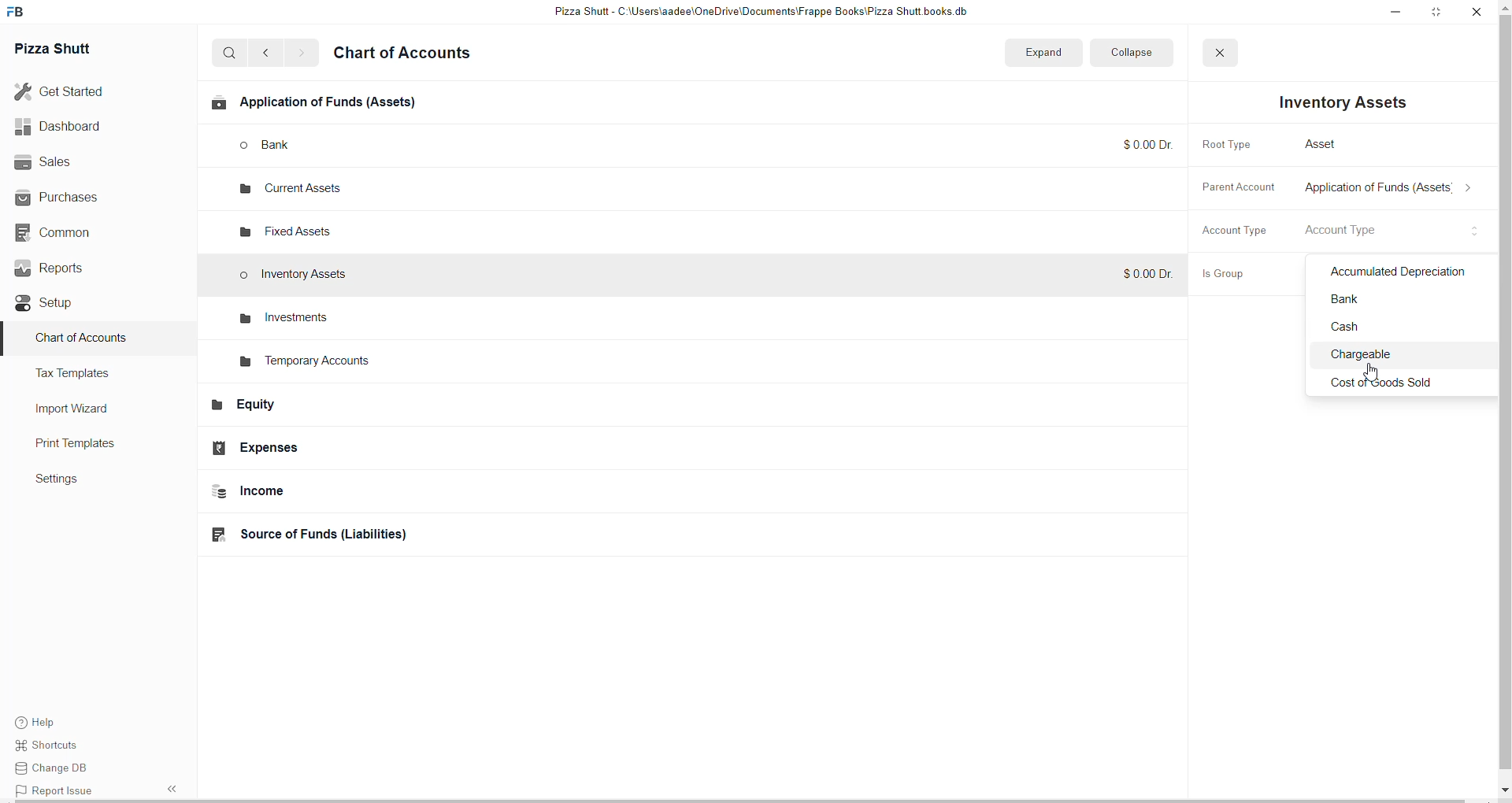 This screenshot has height=803, width=1512. I want to click on Income , so click(332, 494).